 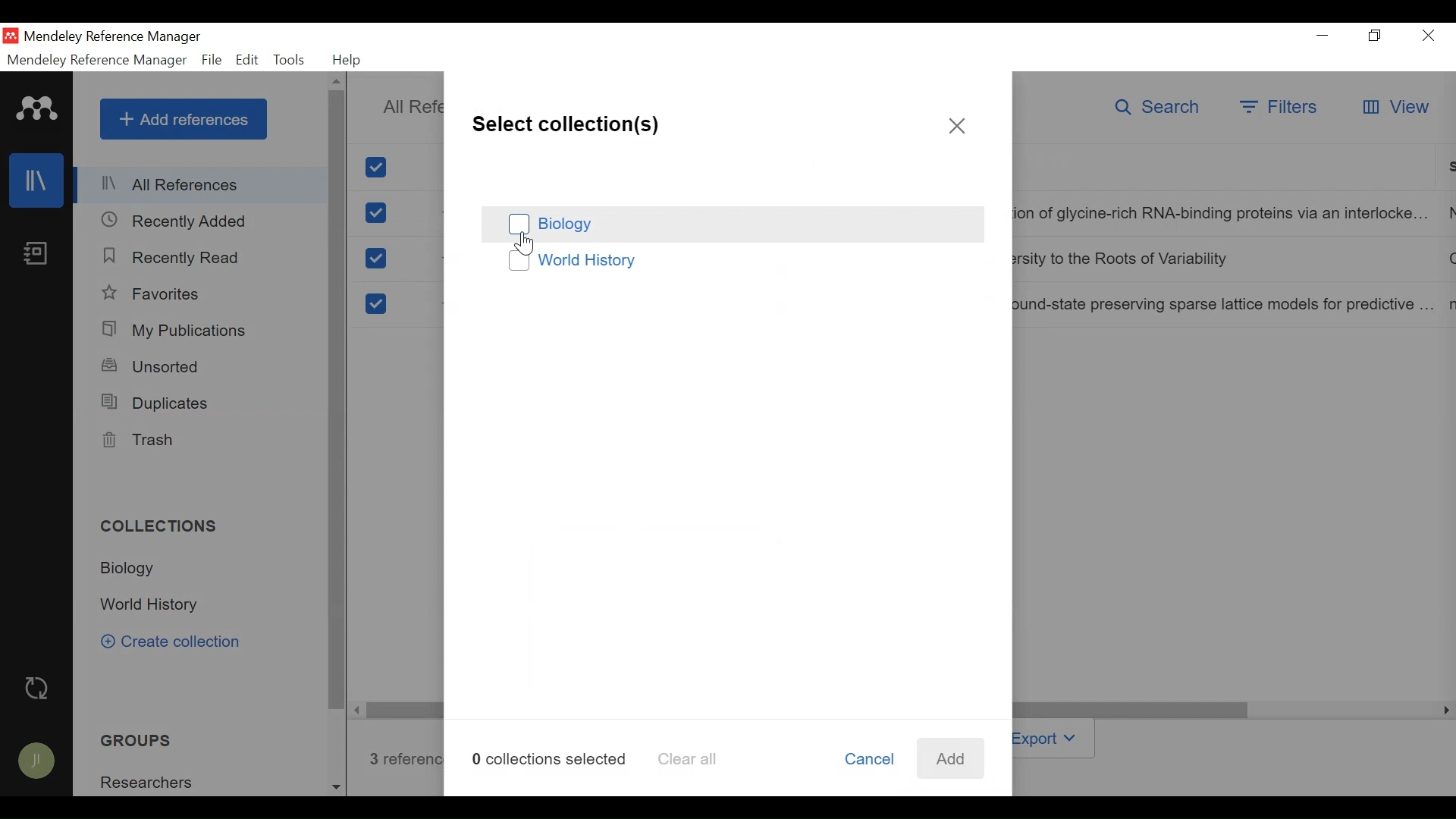 I want to click on Close, so click(x=1429, y=36).